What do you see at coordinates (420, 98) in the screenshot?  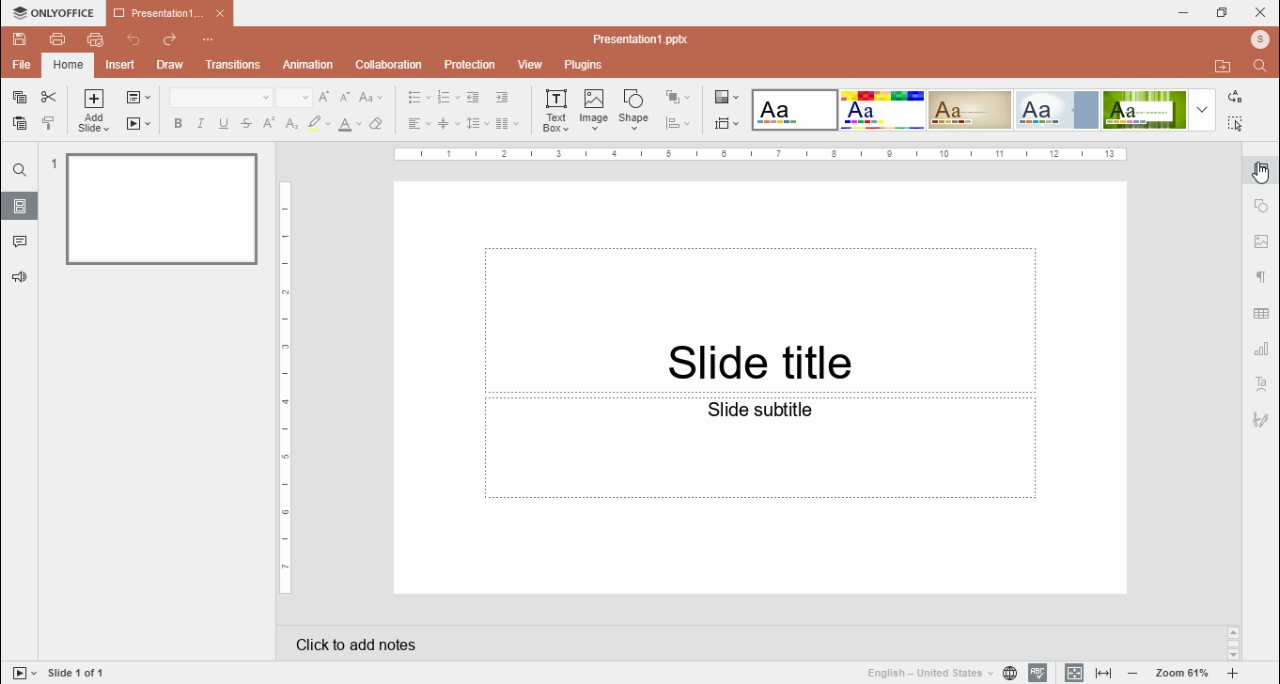 I see `bullets` at bounding box center [420, 98].